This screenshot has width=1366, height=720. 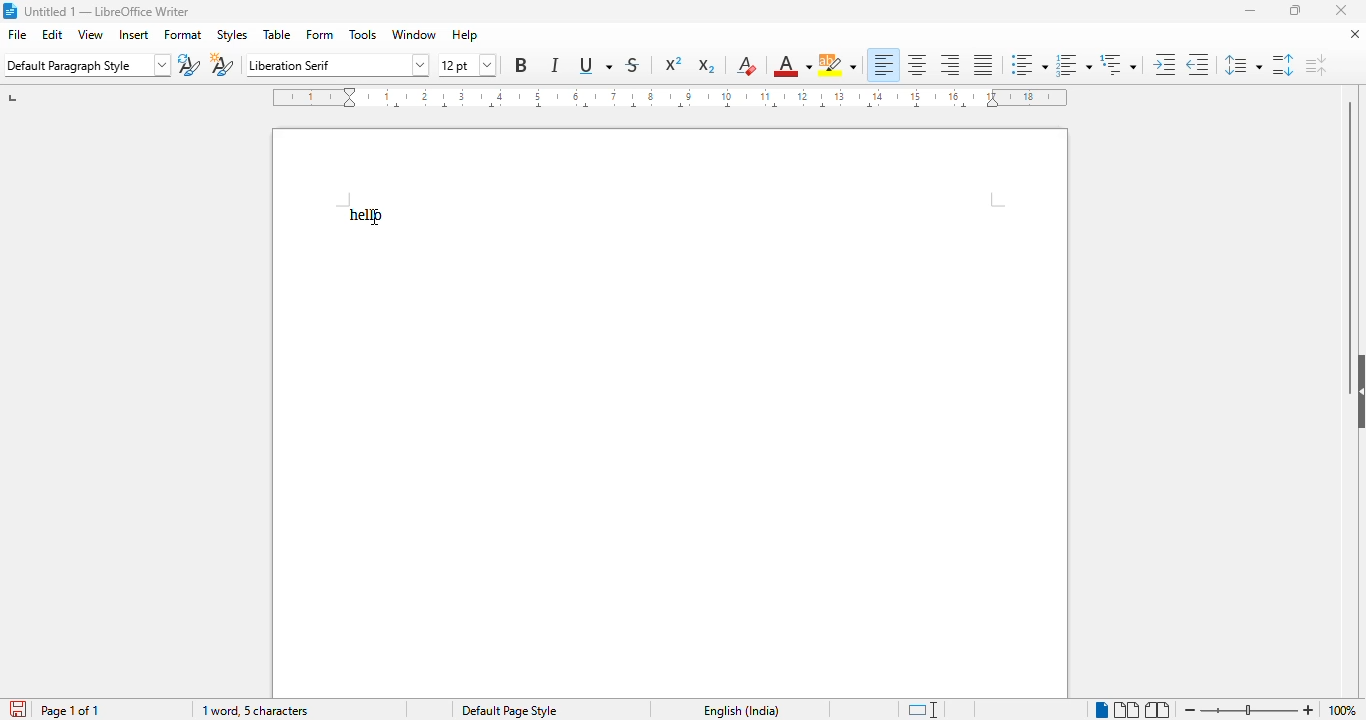 I want to click on italic, so click(x=555, y=65).